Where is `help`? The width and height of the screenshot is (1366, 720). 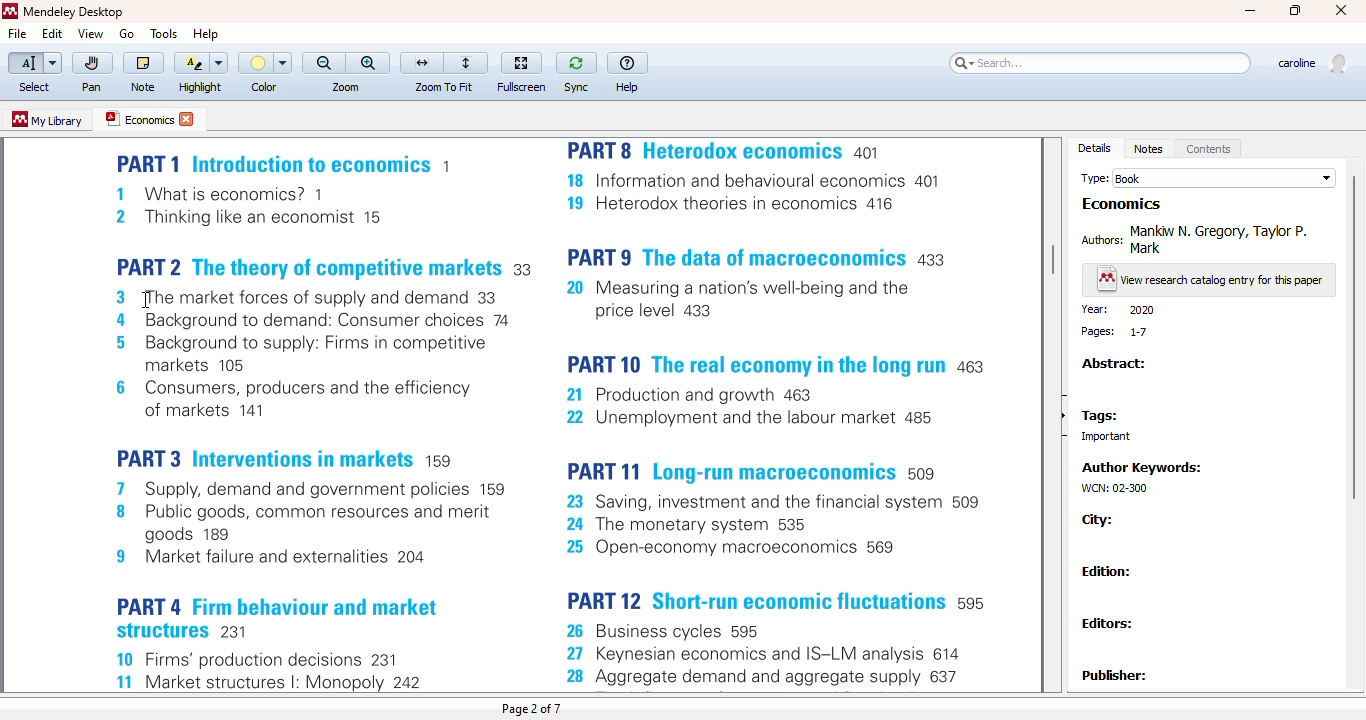 help is located at coordinates (628, 88).